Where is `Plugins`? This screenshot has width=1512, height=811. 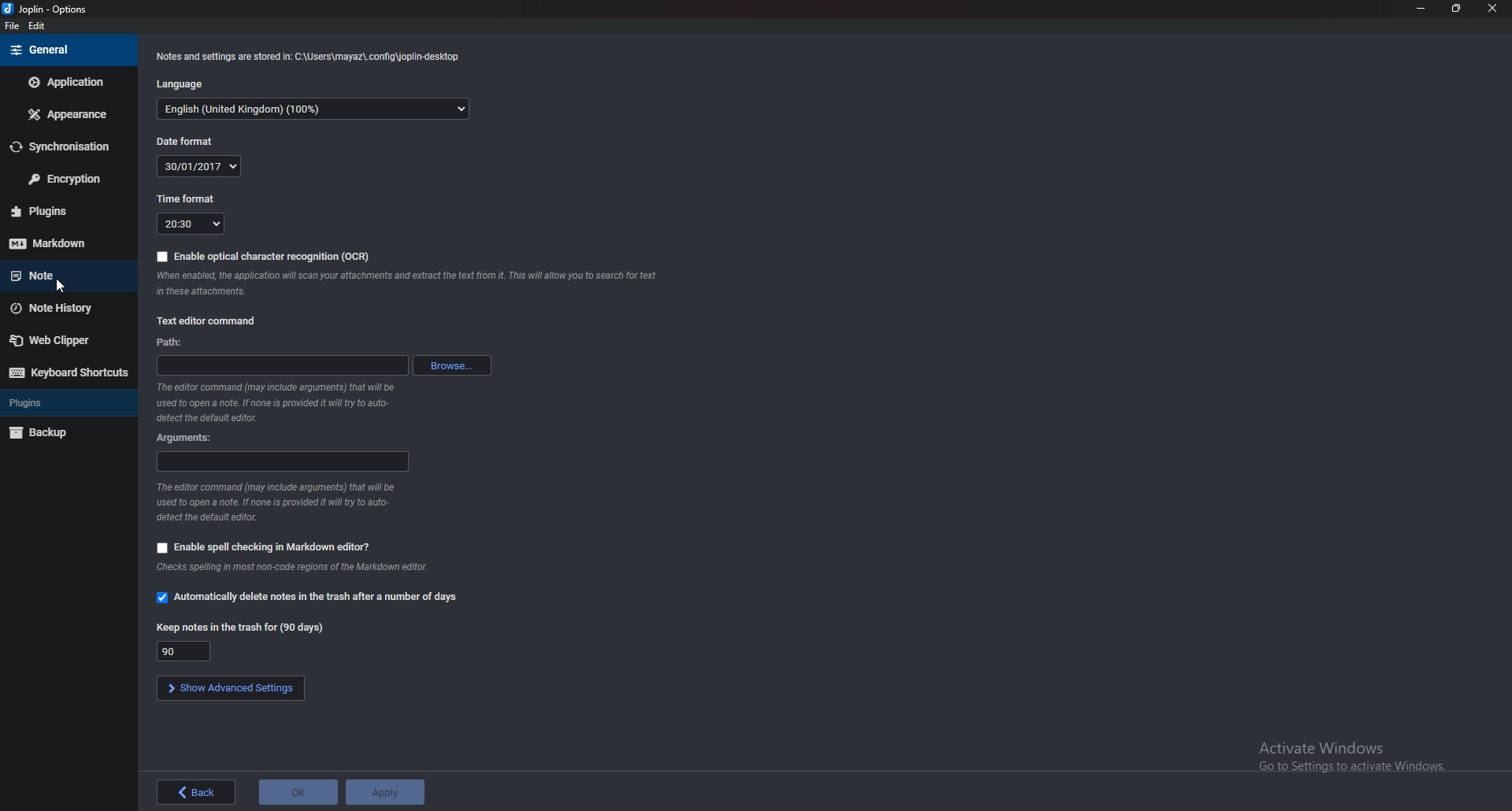 Plugins is located at coordinates (66, 211).